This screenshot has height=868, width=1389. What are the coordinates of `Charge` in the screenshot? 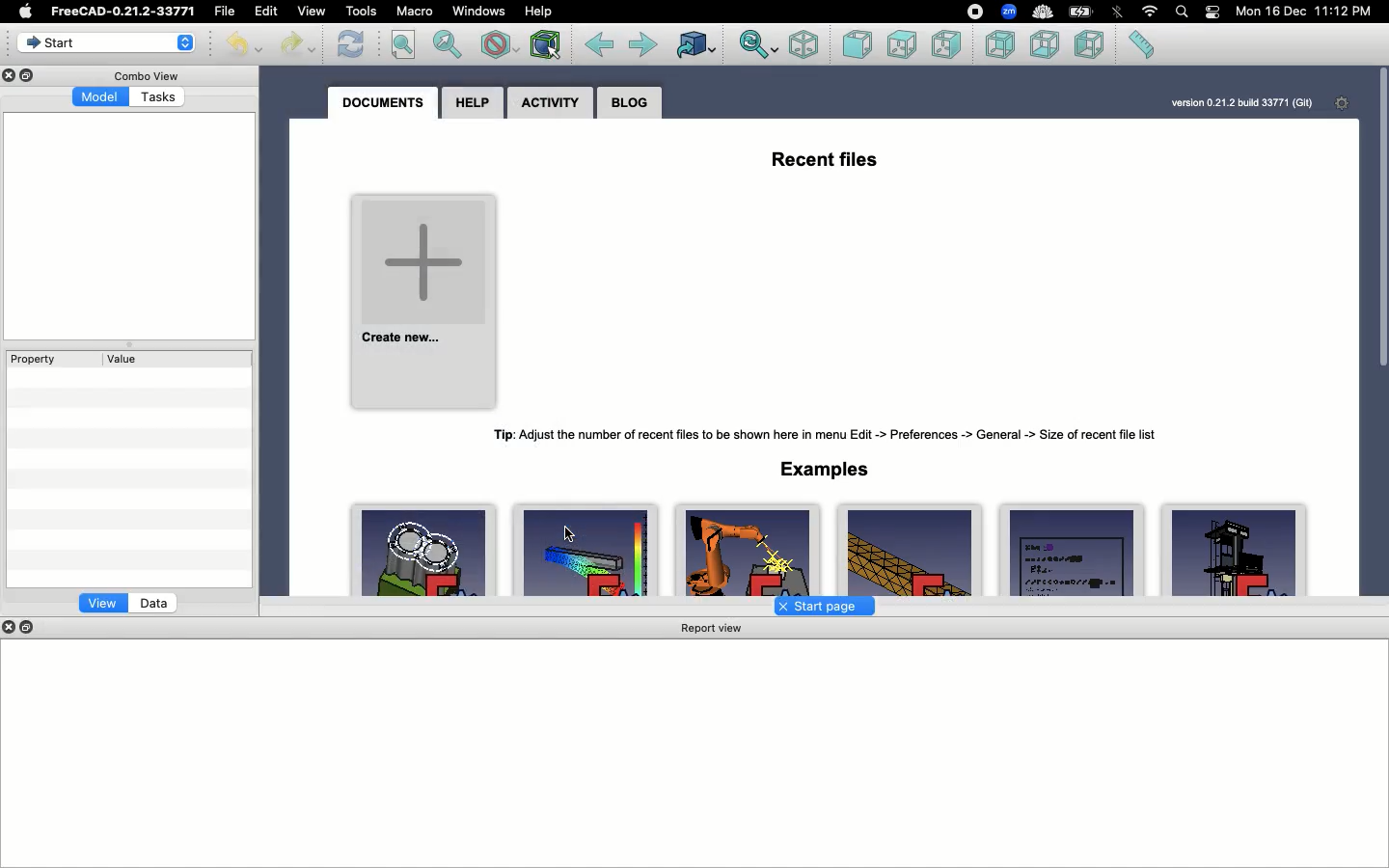 It's located at (1083, 12).